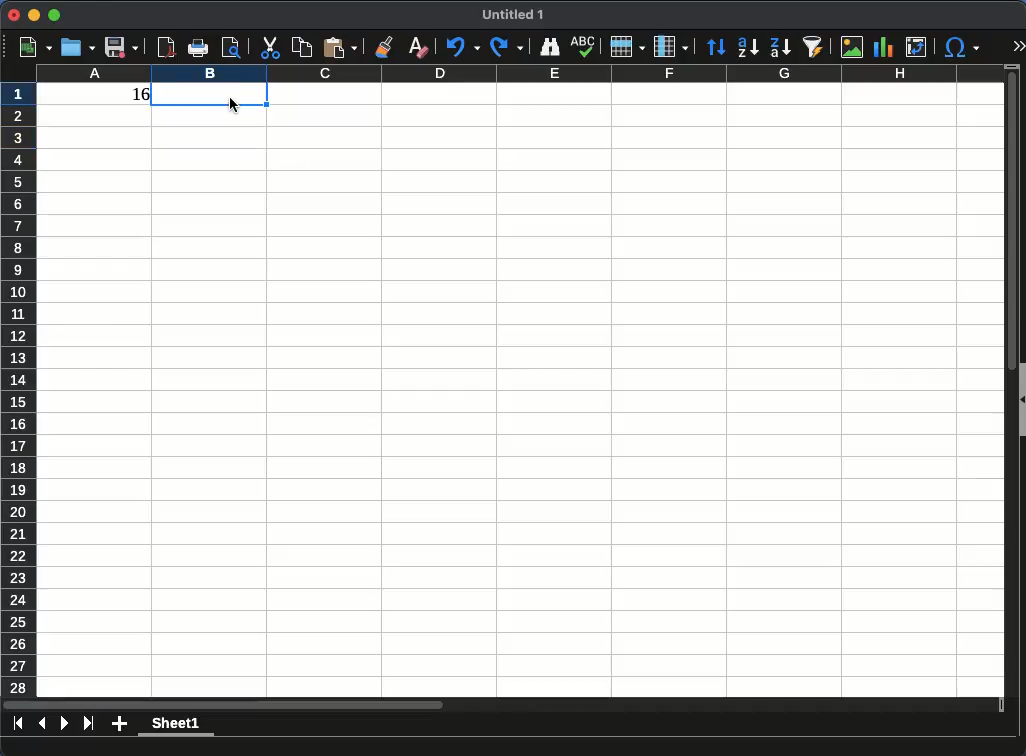 Image resolution: width=1026 pixels, height=756 pixels. I want to click on undo, so click(462, 48).